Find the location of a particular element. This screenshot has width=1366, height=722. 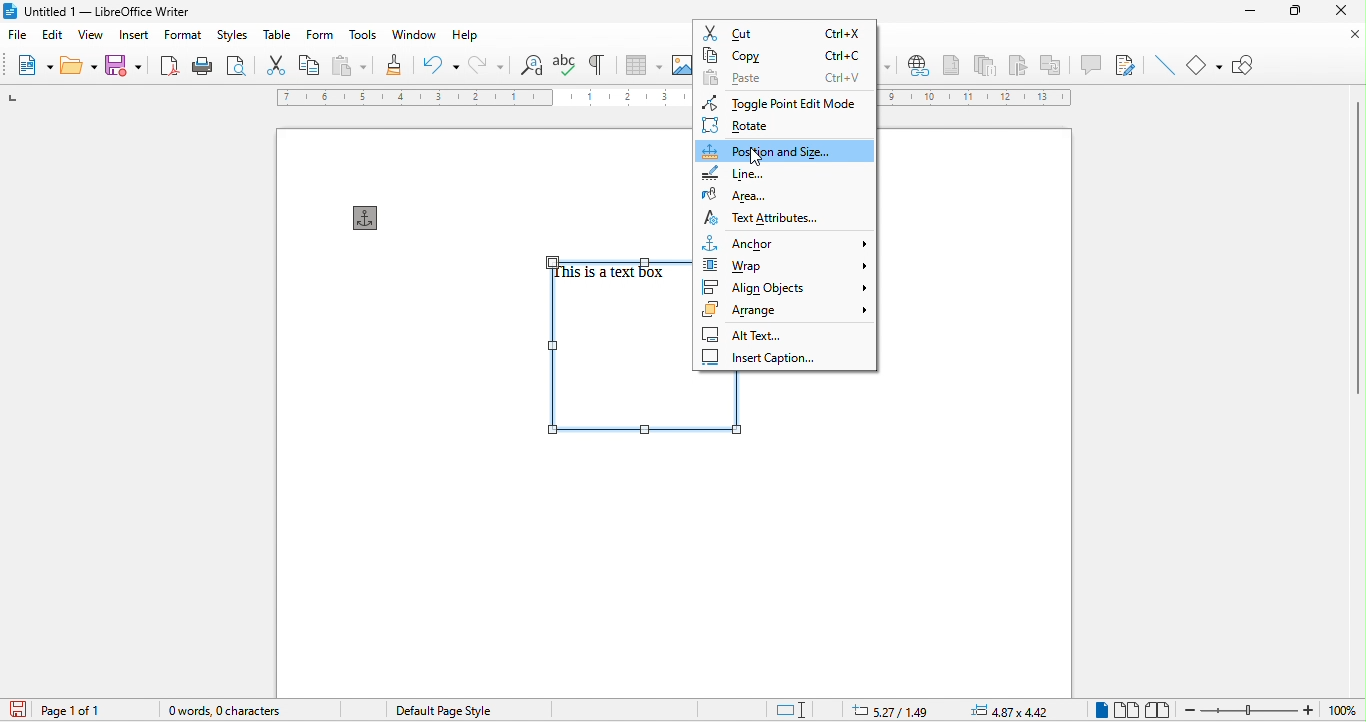

redo is located at coordinates (490, 67).